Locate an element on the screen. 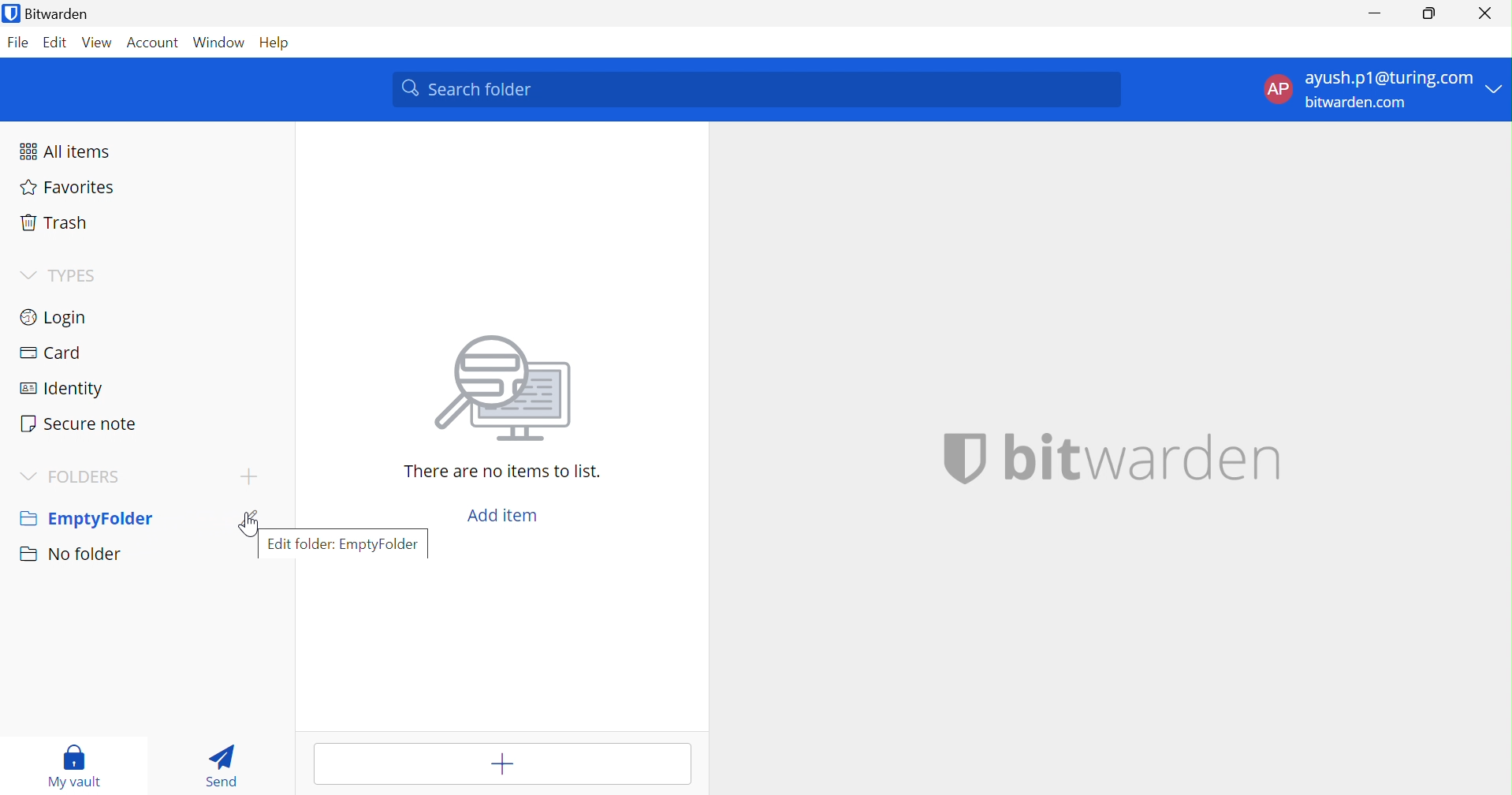 Image resolution: width=1512 pixels, height=795 pixels. FOLDERS is located at coordinates (89, 477).